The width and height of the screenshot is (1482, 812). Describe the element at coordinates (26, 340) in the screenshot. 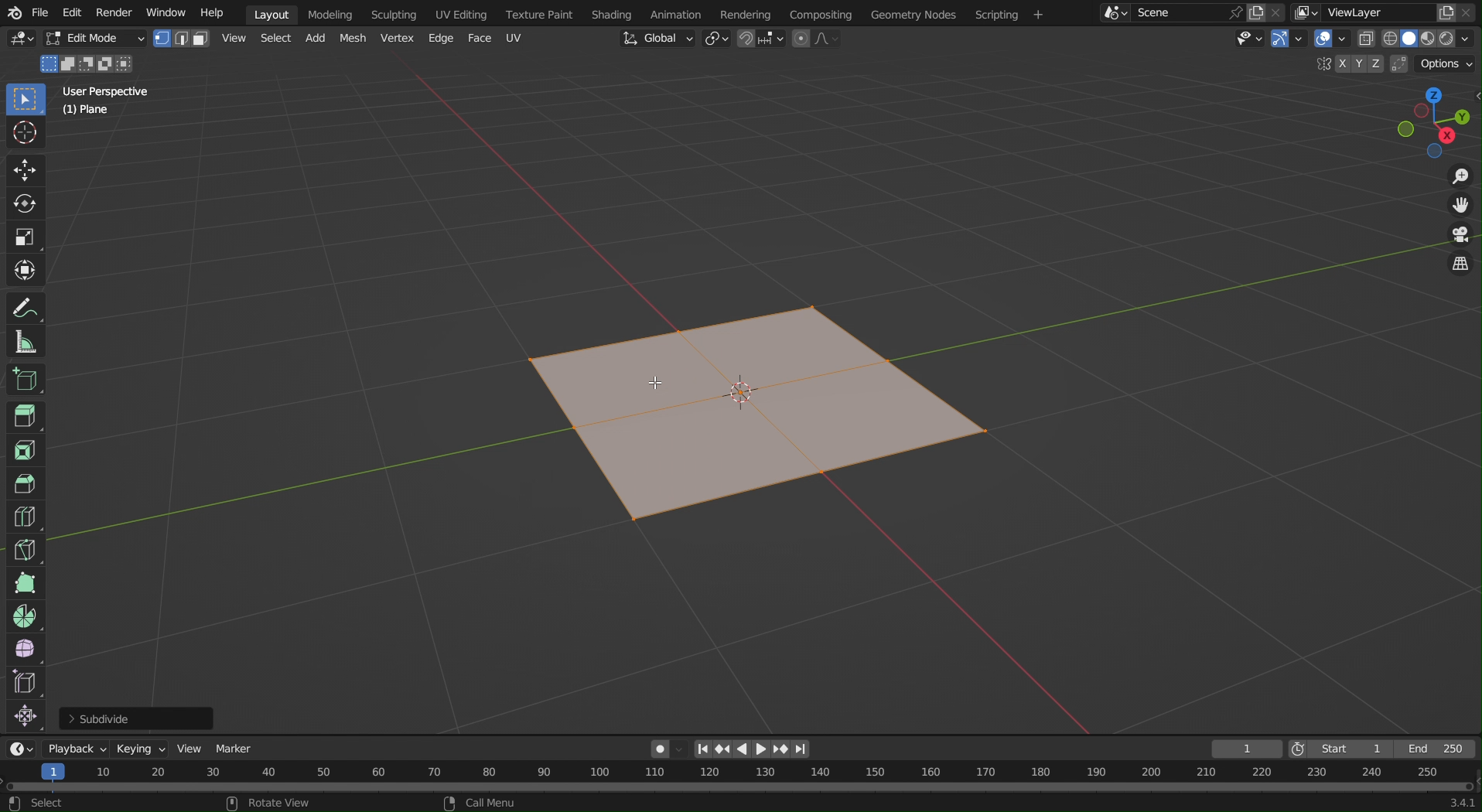

I see `Measure` at that location.